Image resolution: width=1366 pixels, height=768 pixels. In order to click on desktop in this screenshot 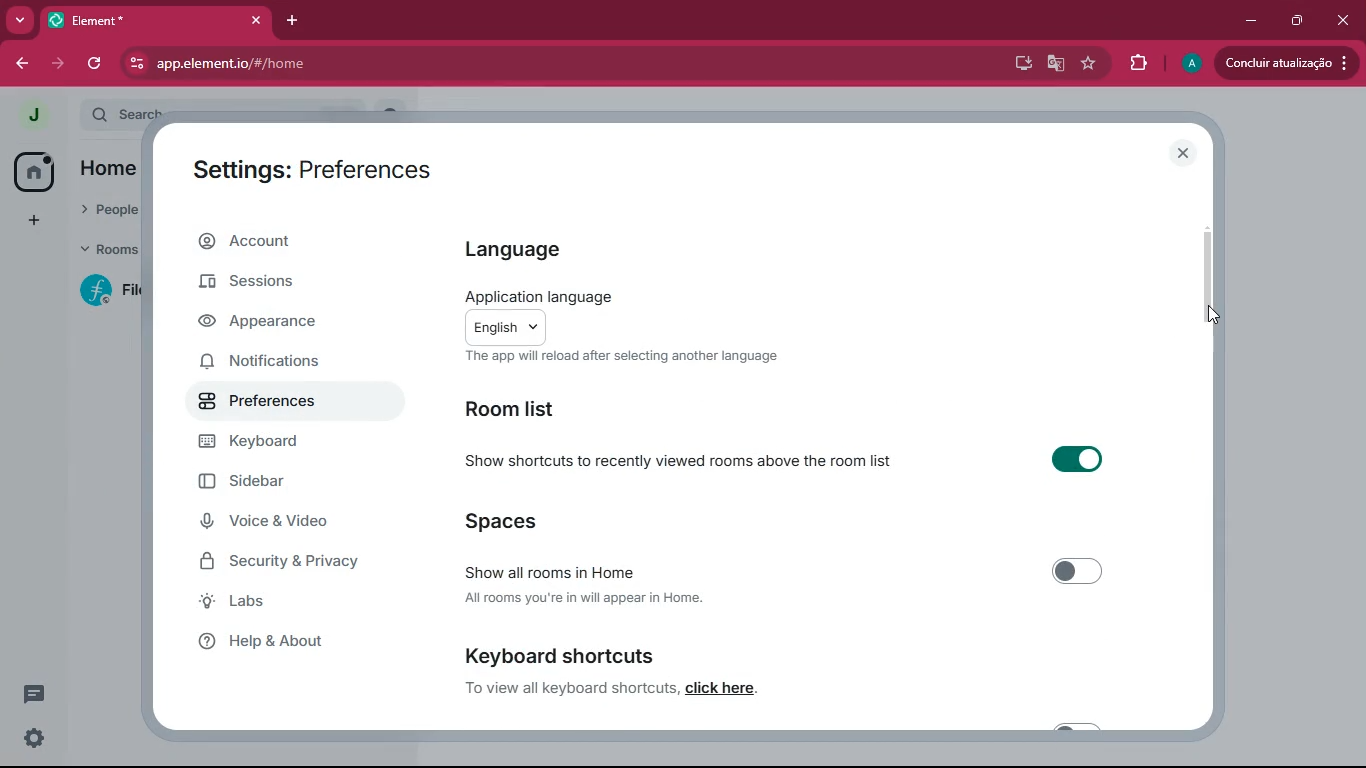, I will do `click(1017, 64)`.